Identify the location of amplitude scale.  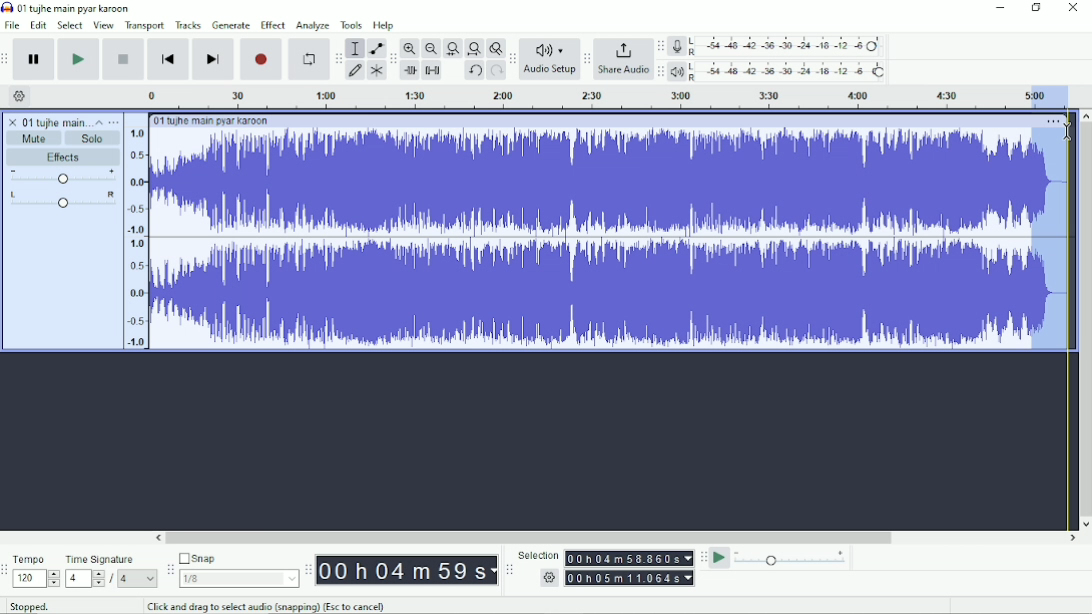
(136, 239).